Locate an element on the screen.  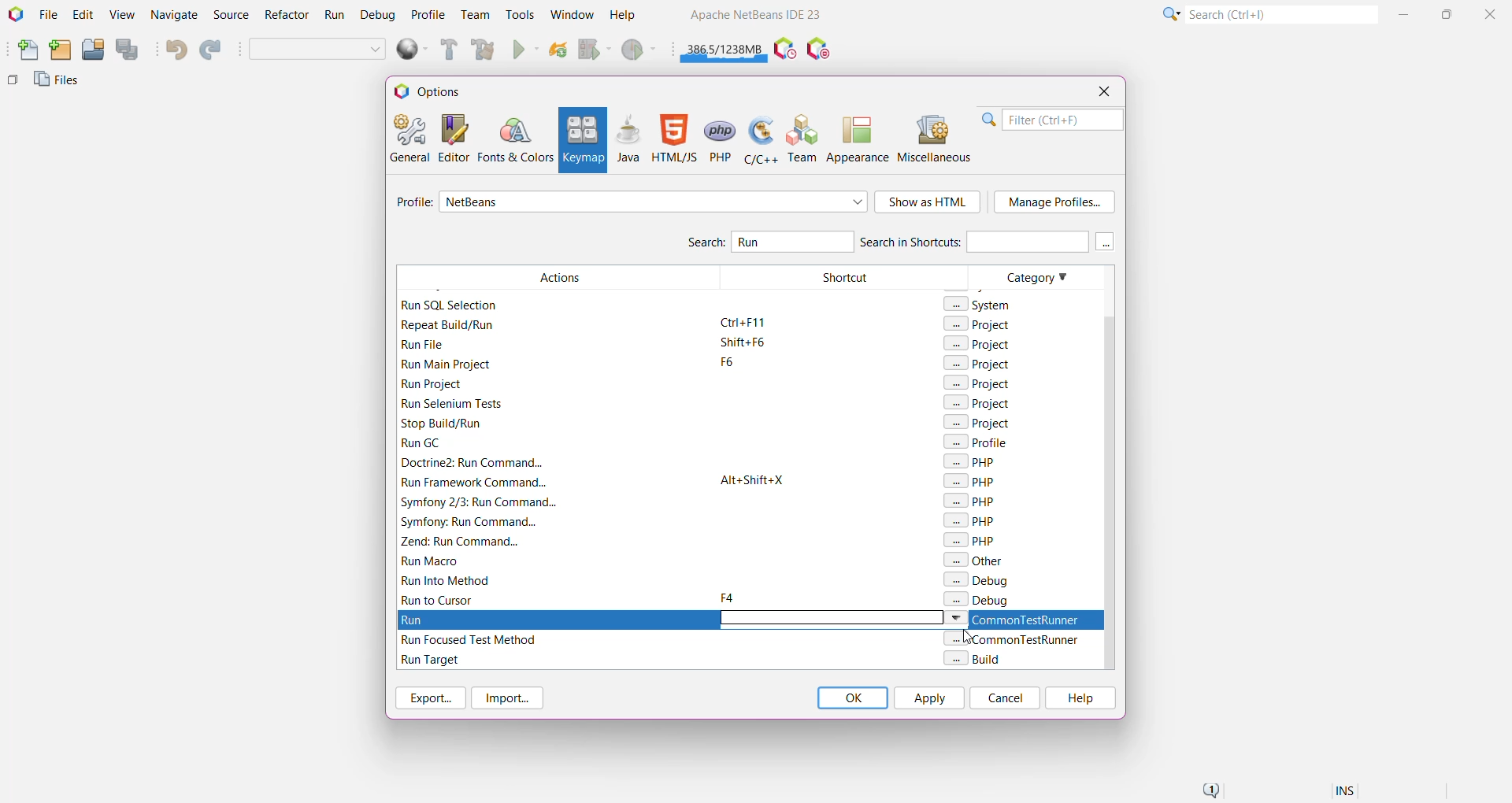
Filtered Actions with Run keyword is located at coordinates (557, 435).